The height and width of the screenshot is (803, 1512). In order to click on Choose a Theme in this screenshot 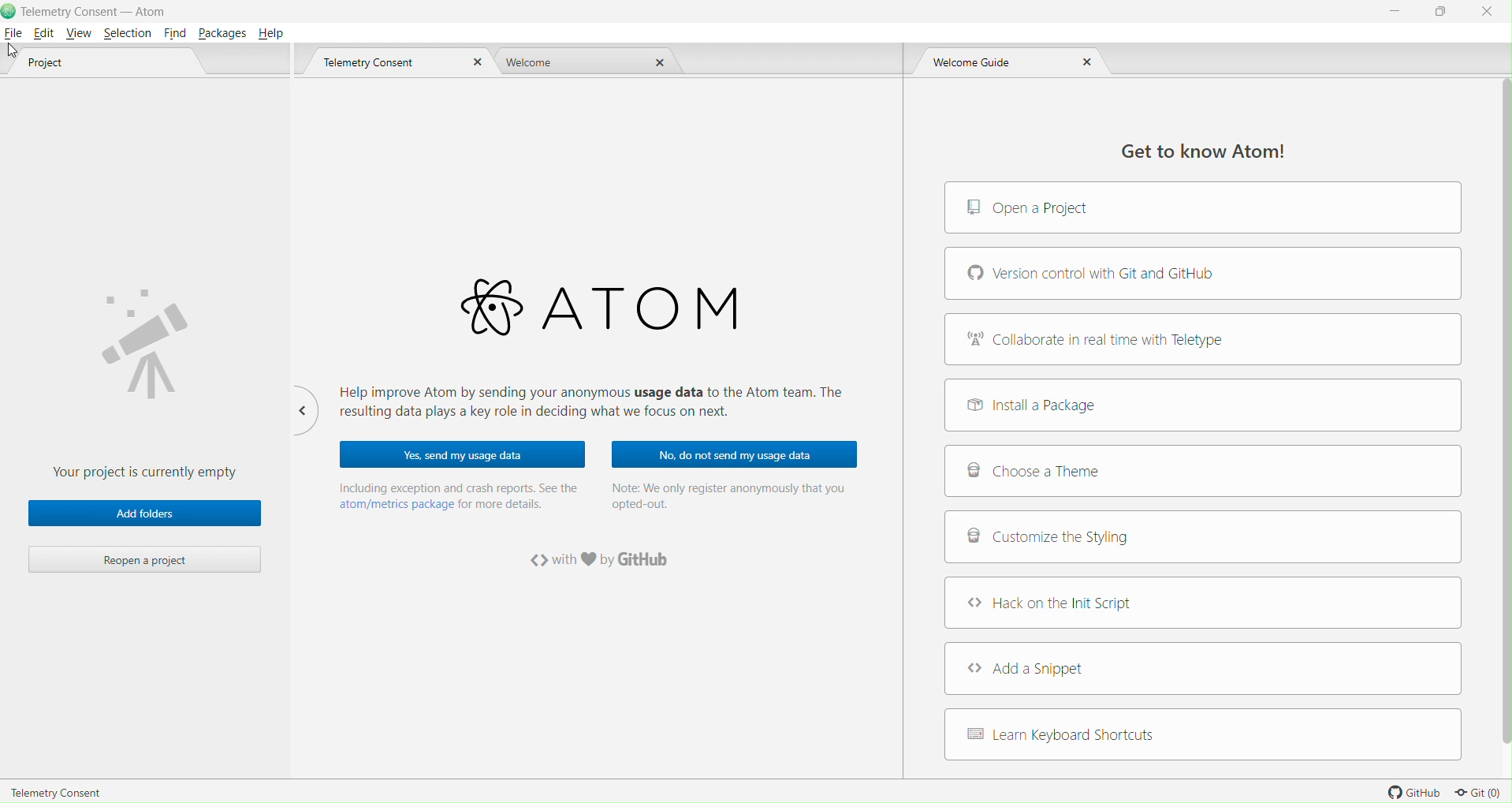, I will do `click(1203, 472)`.